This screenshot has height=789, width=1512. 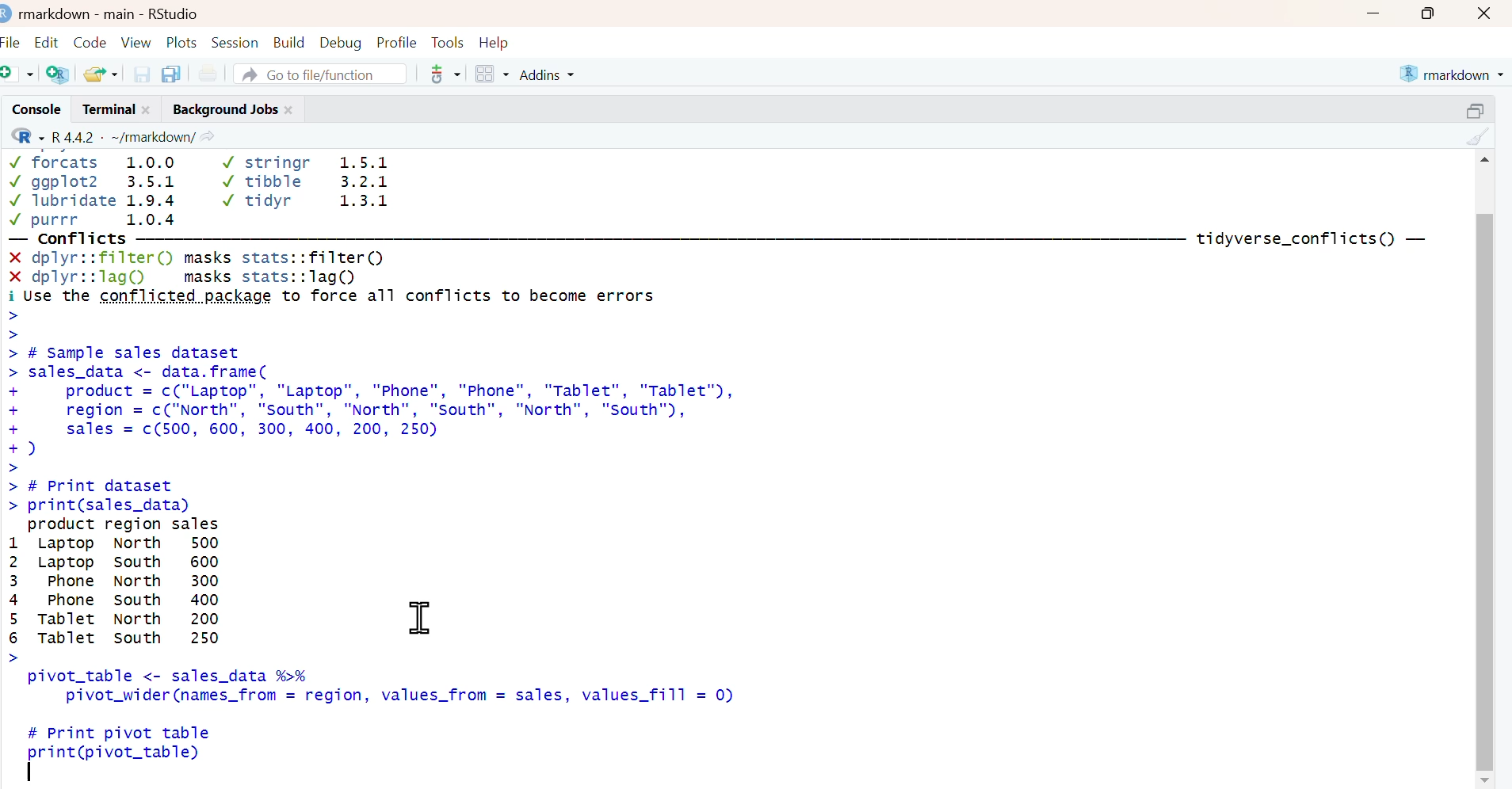 What do you see at coordinates (236, 40) in the screenshot?
I see `Session` at bounding box center [236, 40].